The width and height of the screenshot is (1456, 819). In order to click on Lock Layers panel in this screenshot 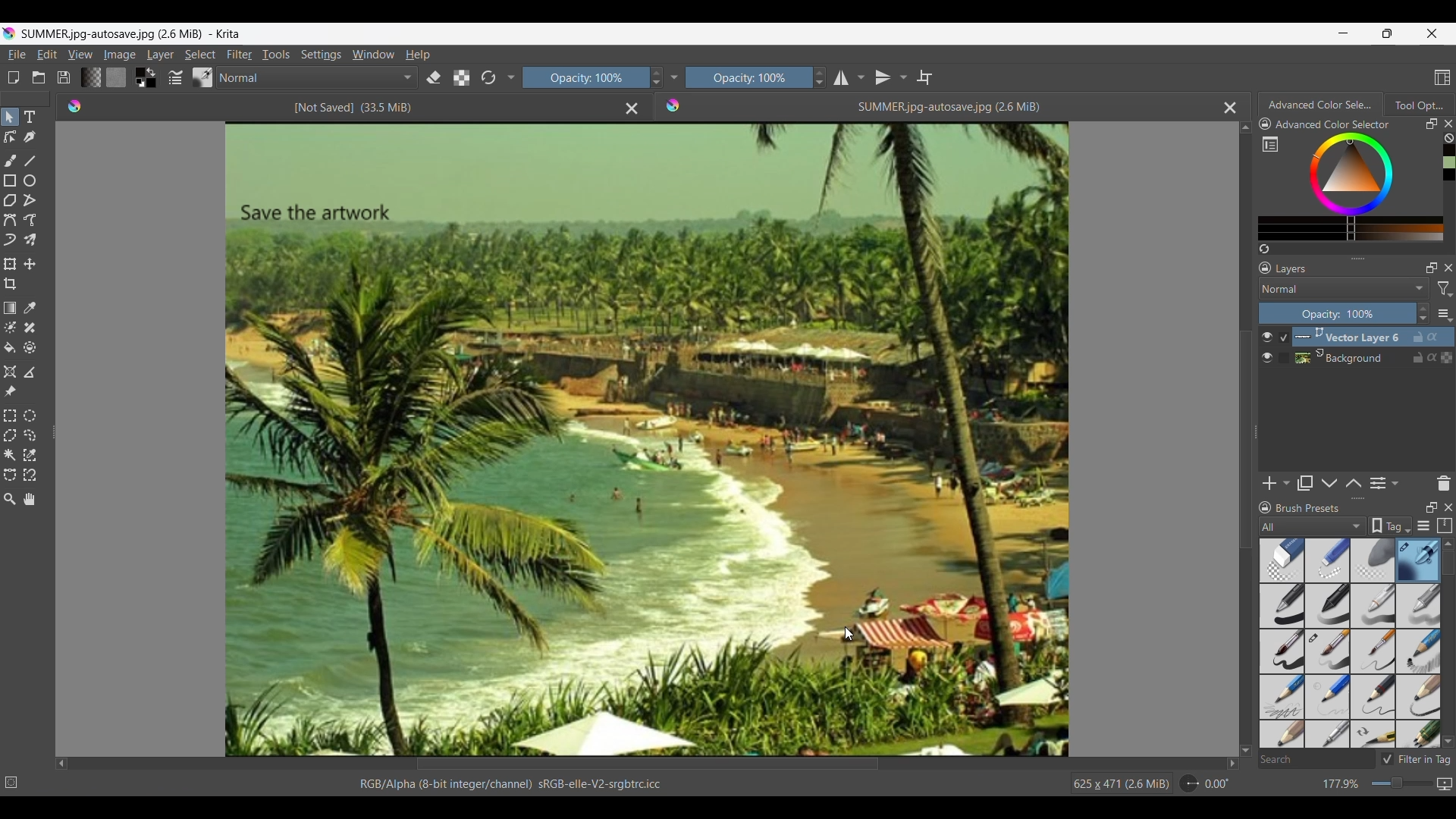, I will do `click(1266, 268)`.